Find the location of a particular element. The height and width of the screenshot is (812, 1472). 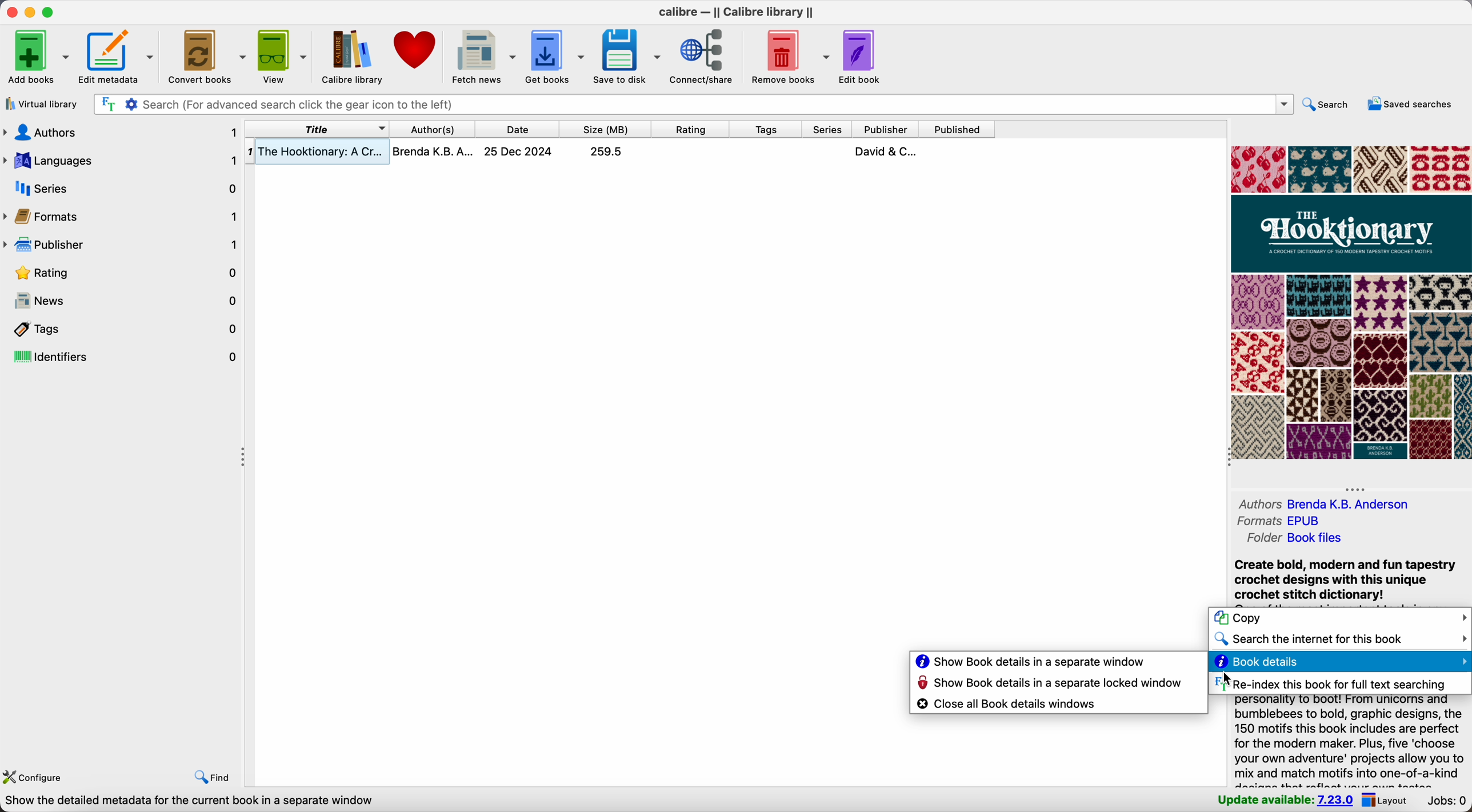

Calibre library is located at coordinates (351, 55).